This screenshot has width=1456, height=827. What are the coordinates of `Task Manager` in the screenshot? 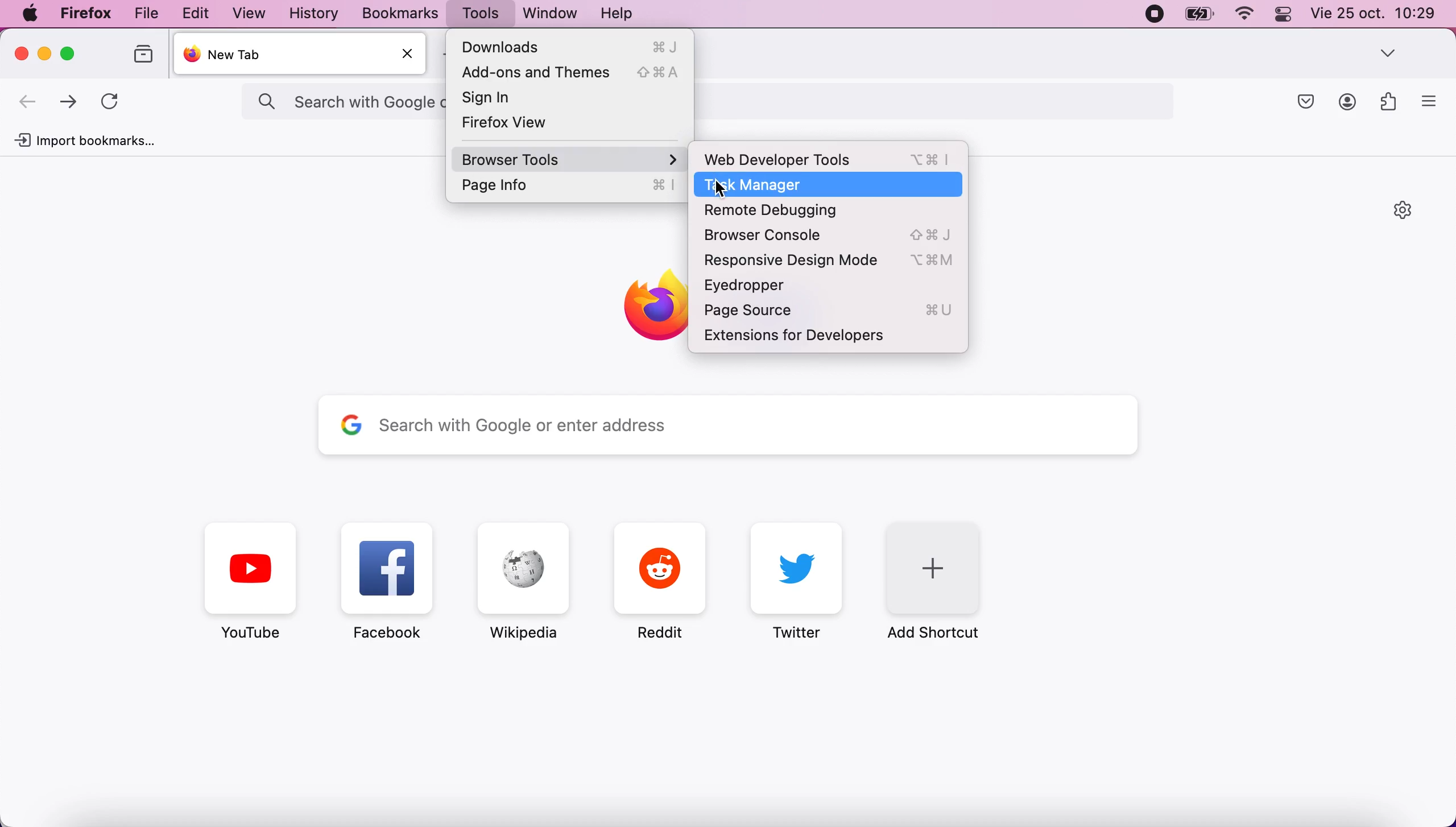 It's located at (828, 184).